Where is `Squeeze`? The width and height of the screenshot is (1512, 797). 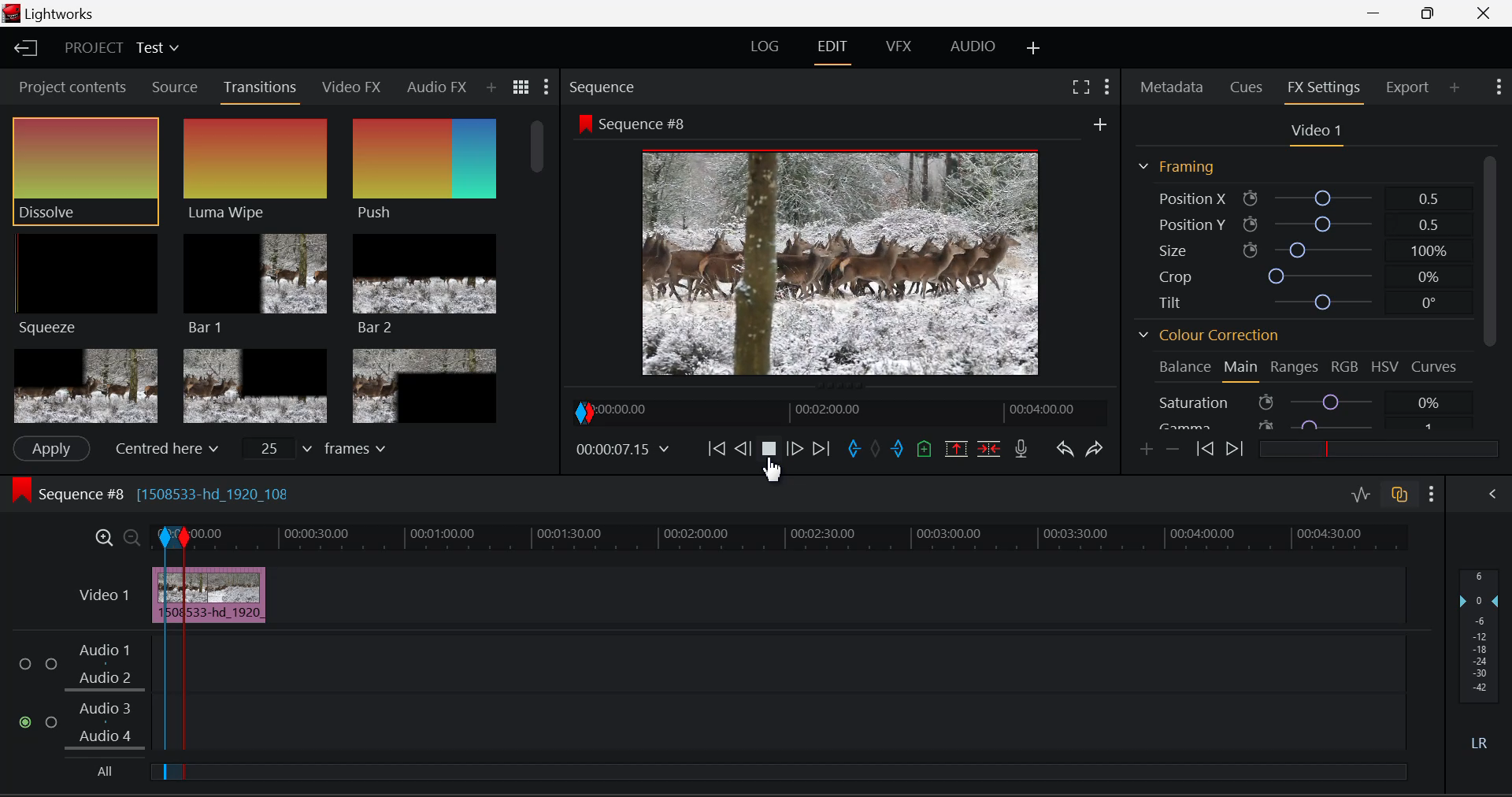 Squeeze is located at coordinates (89, 287).